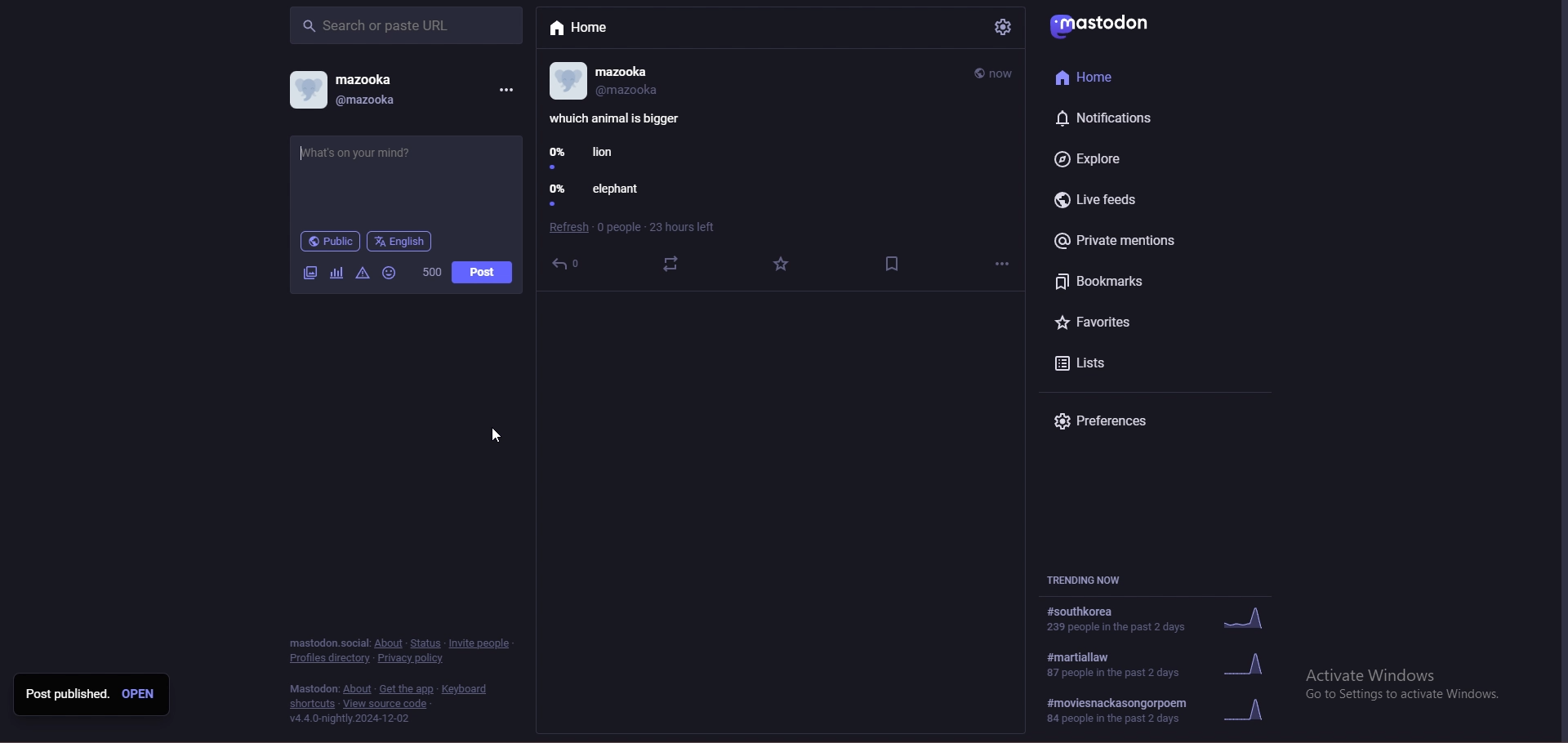  What do you see at coordinates (1162, 617) in the screenshot?
I see `trend` at bounding box center [1162, 617].